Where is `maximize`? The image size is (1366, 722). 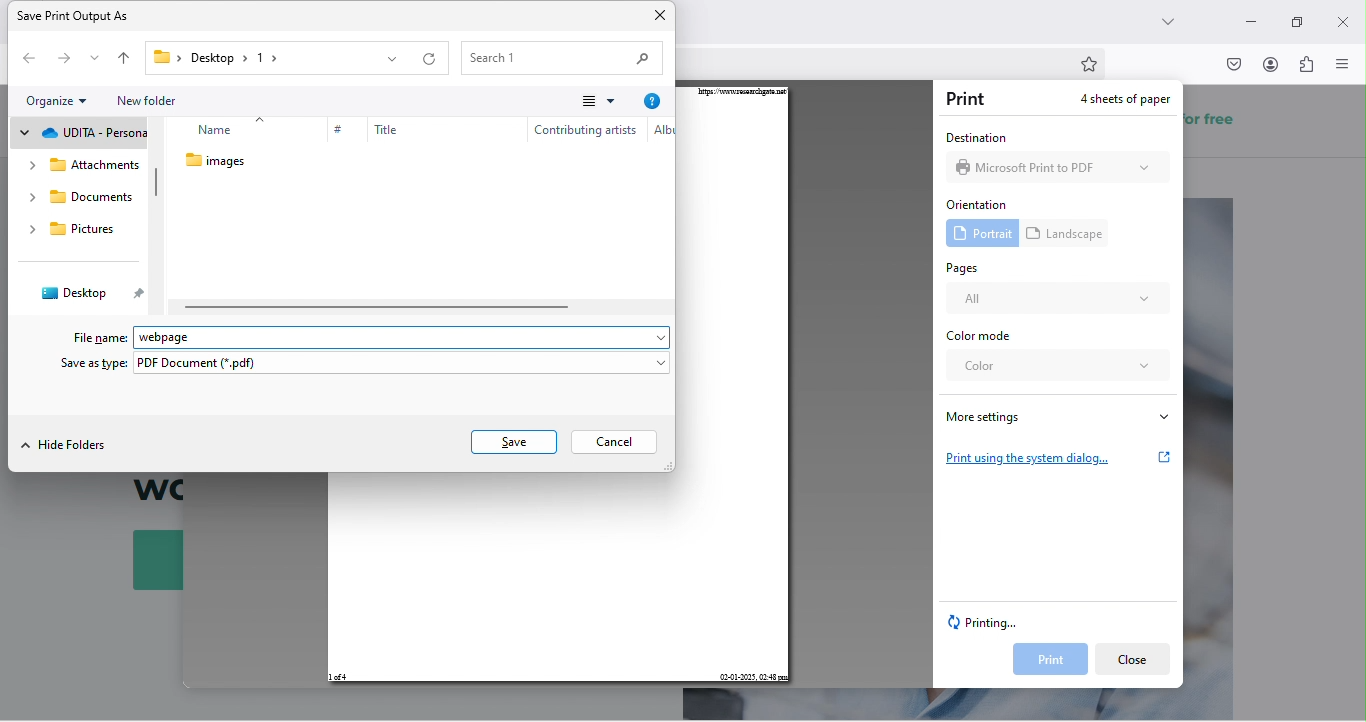
maximize is located at coordinates (1295, 21).